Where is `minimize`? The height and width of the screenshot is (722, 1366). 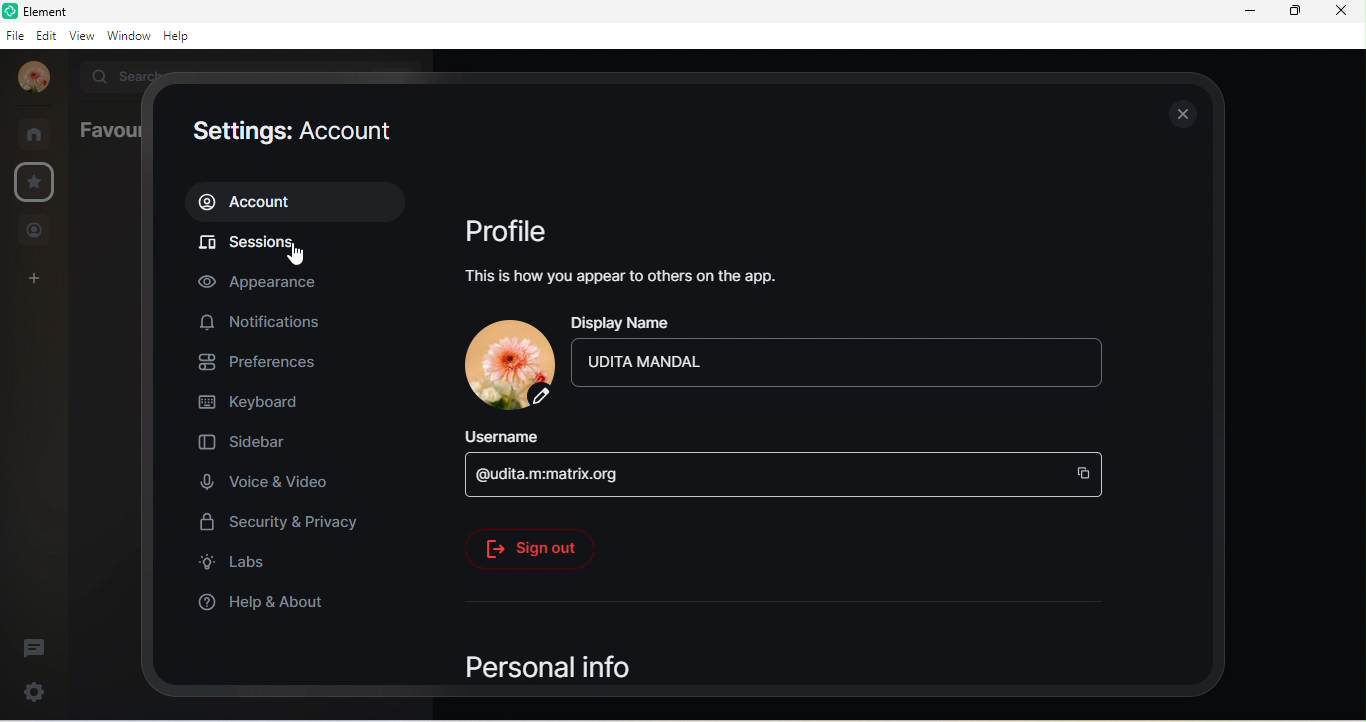 minimize is located at coordinates (1250, 11).